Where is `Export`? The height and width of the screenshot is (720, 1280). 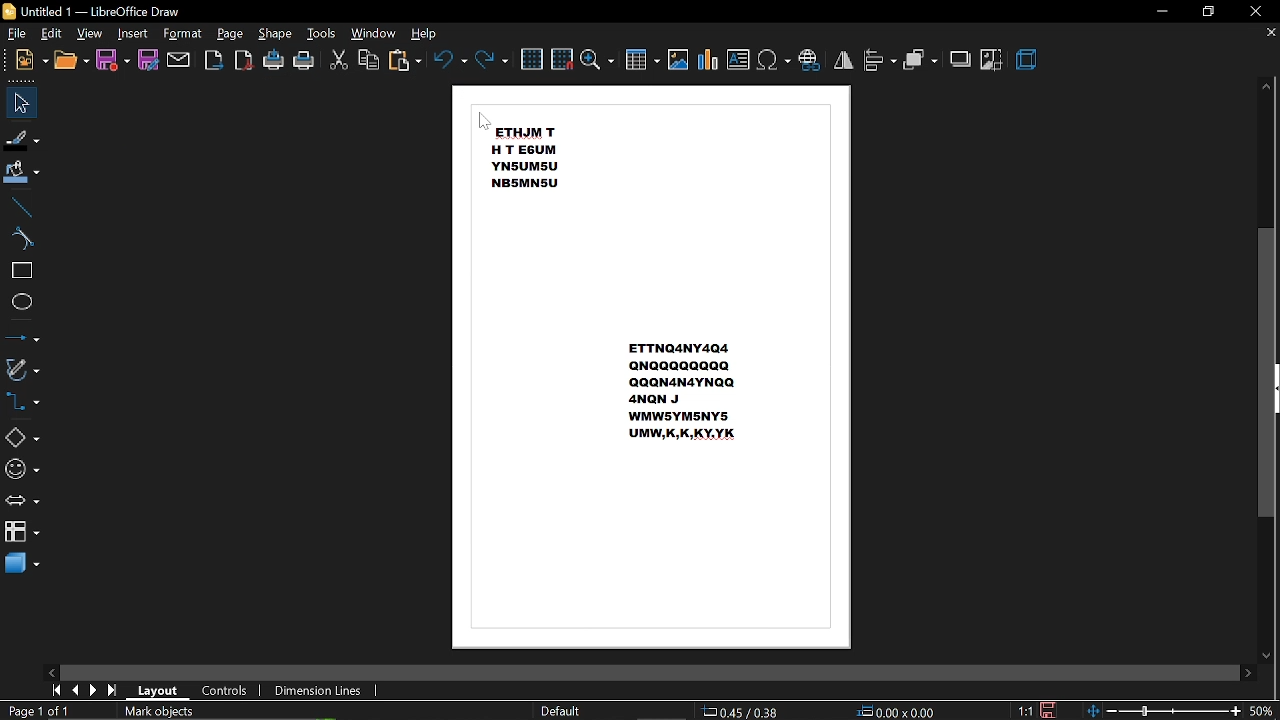 Export is located at coordinates (214, 61).